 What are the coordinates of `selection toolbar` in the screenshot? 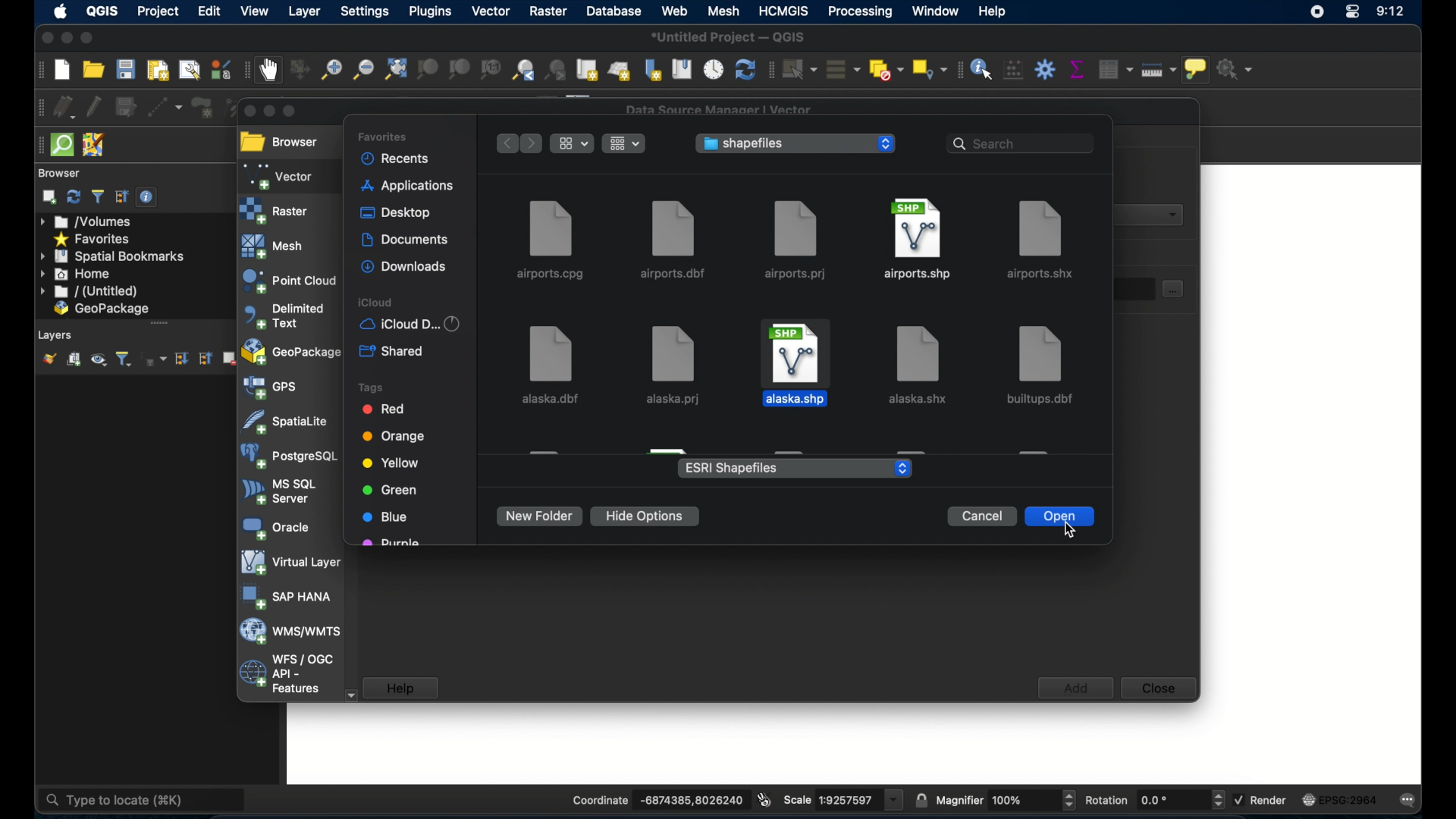 It's located at (770, 69).